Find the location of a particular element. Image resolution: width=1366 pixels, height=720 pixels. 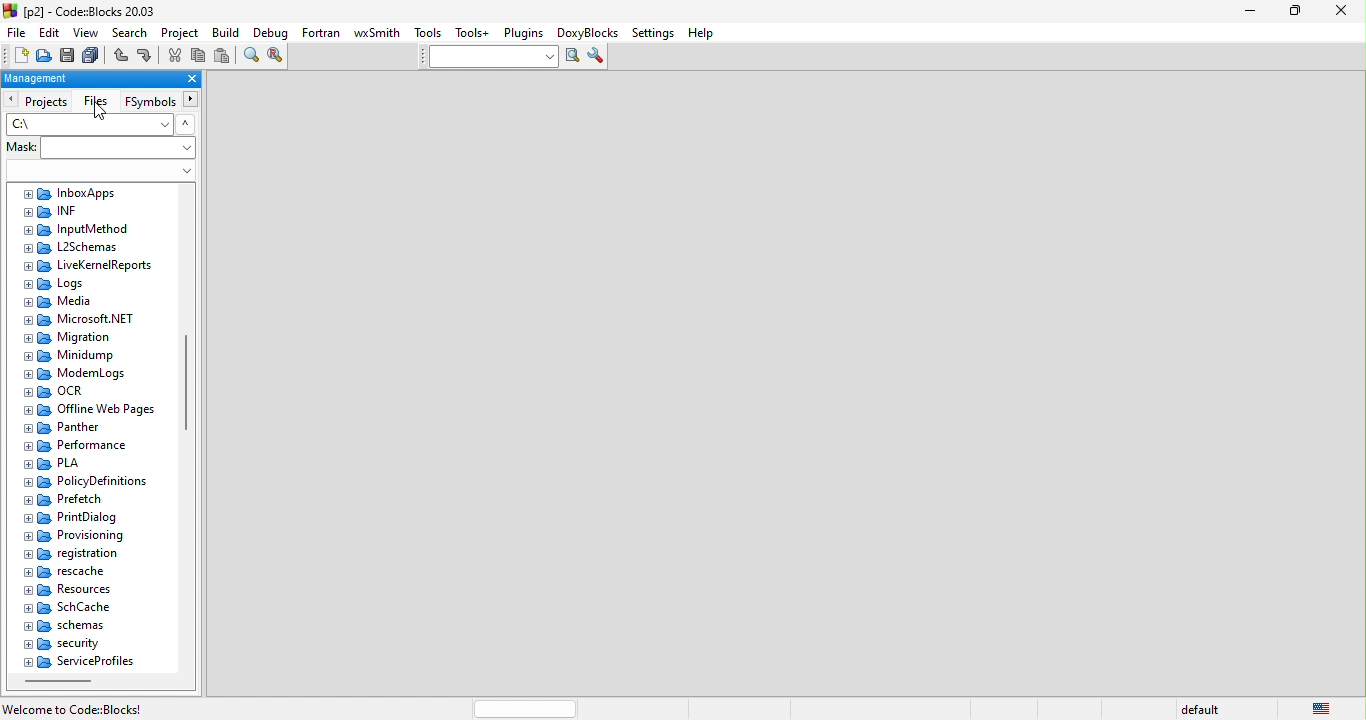

policy definitions is located at coordinates (89, 481).